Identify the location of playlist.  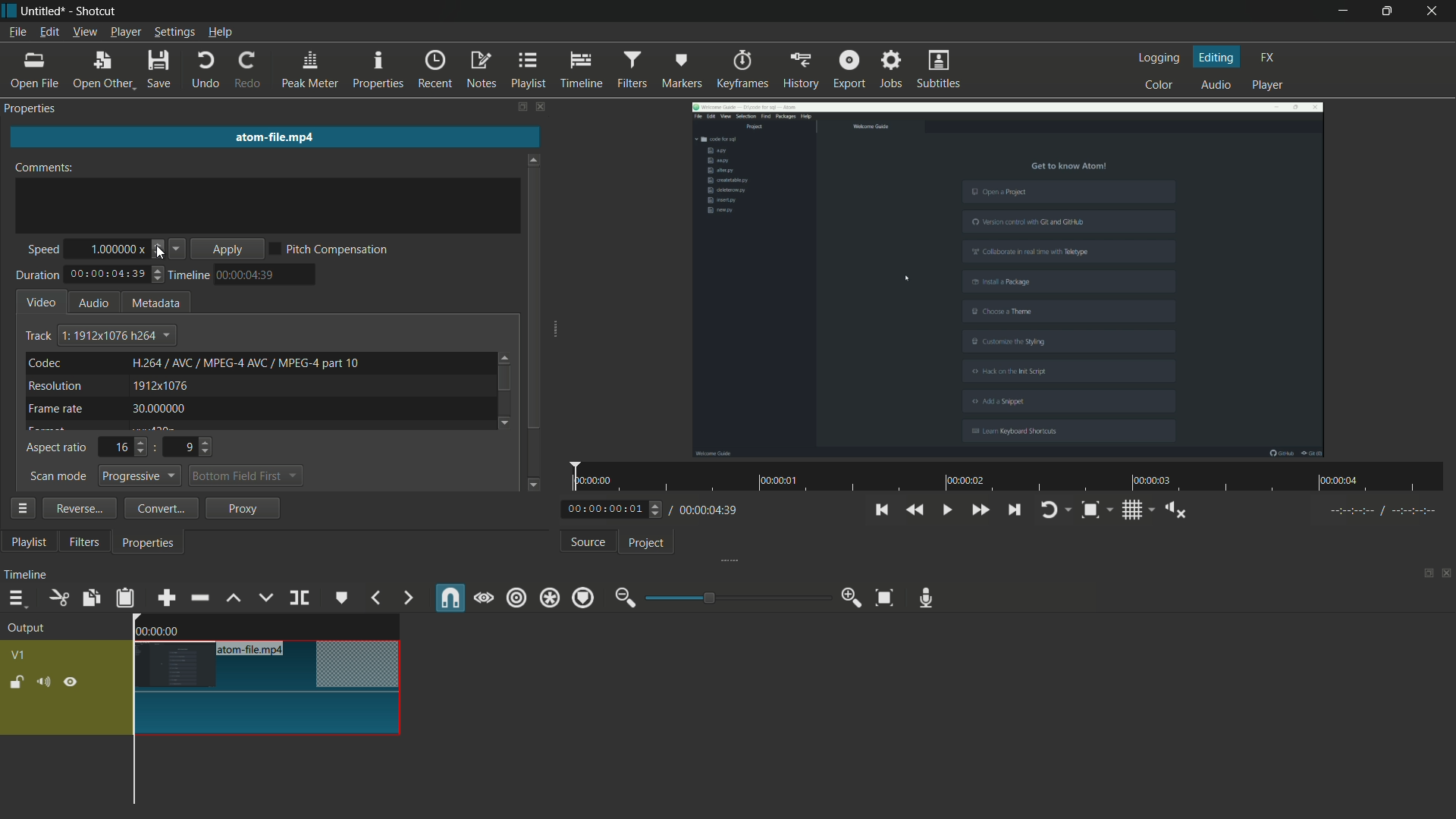
(29, 542).